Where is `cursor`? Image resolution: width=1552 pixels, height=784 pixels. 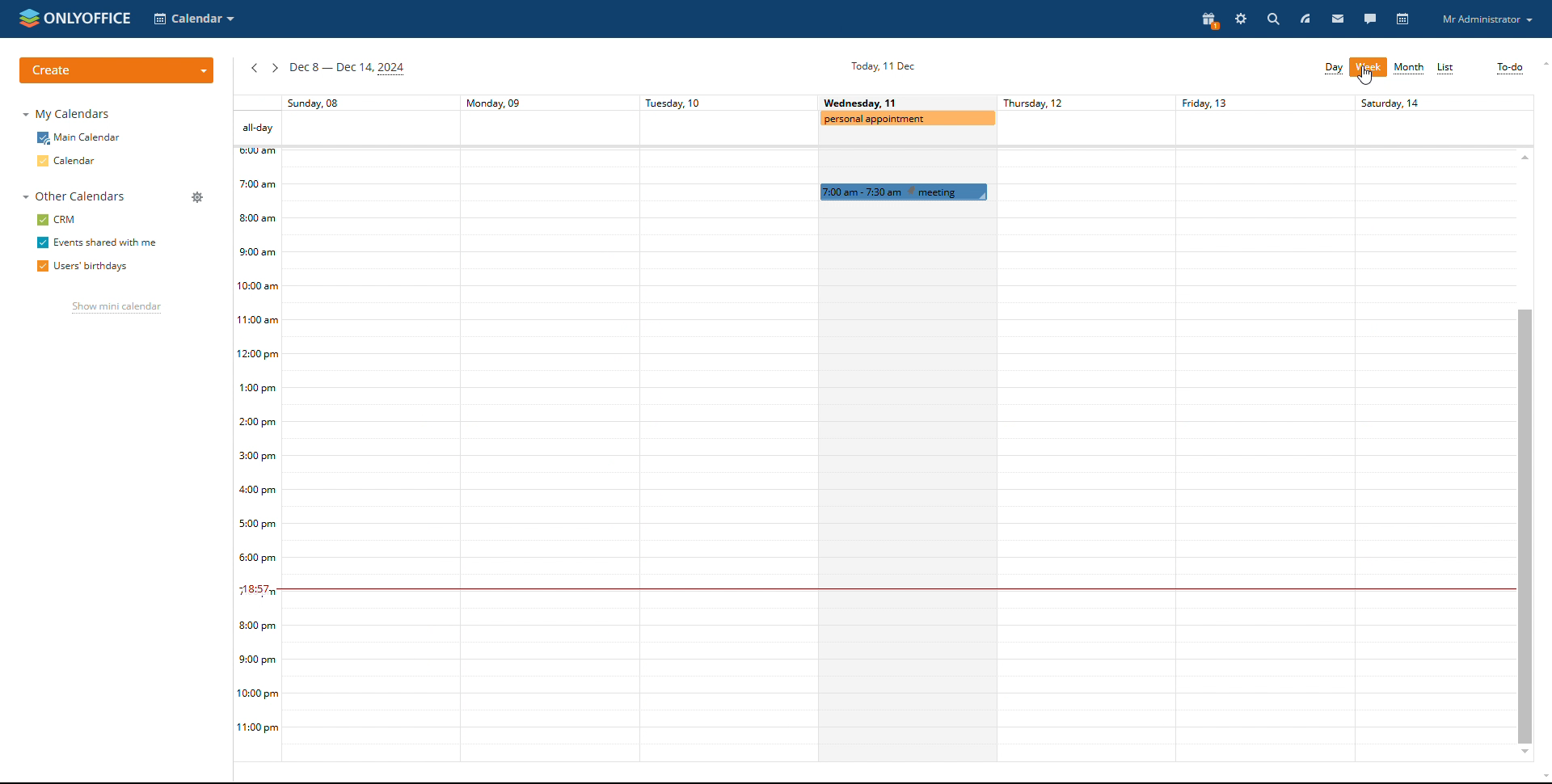 cursor is located at coordinates (1365, 76).